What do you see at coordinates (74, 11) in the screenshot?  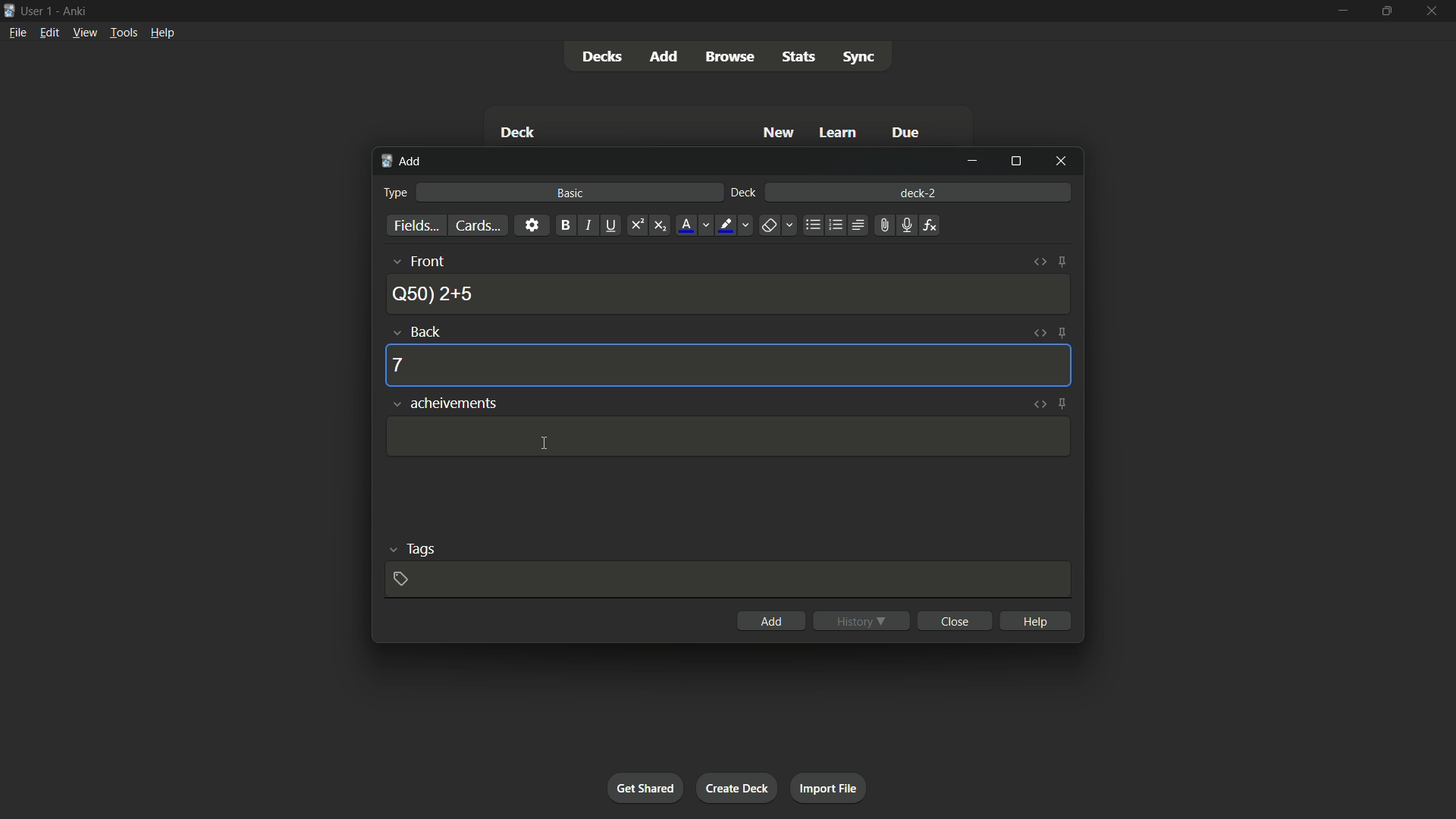 I see `app name` at bounding box center [74, 11].